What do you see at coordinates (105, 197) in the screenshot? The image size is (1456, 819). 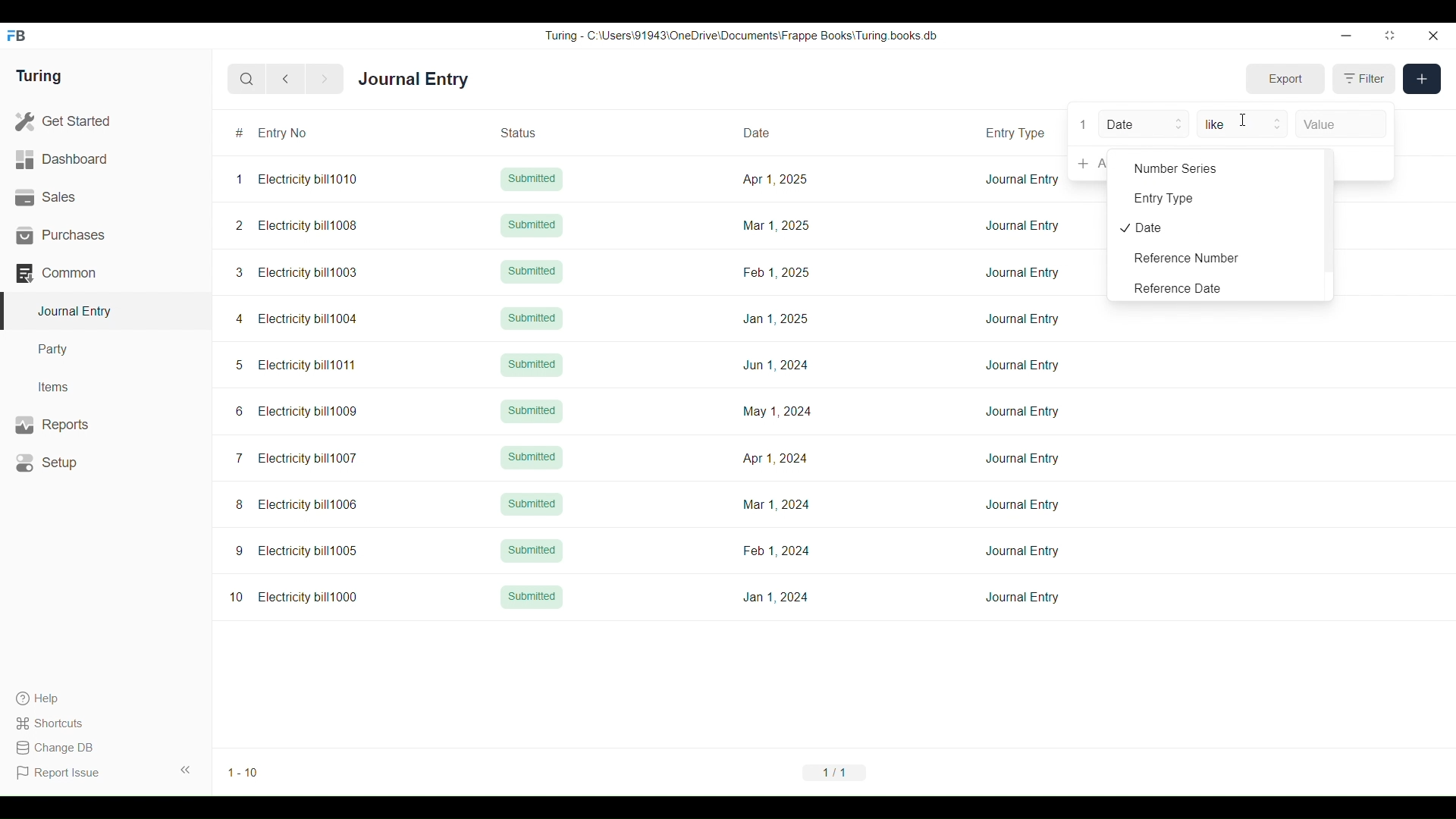 I see `Sales` at bounding box center [105, 197].